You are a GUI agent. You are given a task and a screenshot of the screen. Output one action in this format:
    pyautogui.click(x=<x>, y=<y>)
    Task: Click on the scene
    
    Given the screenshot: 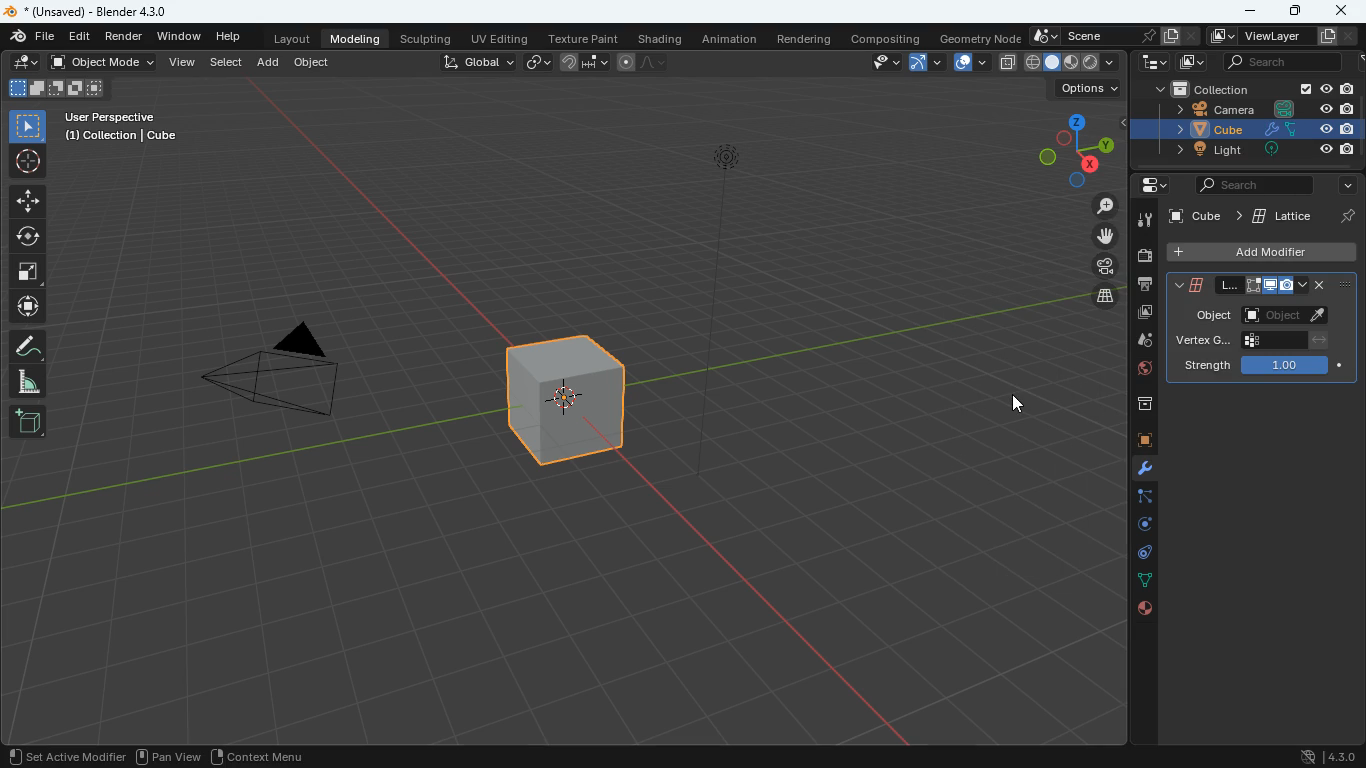 What is the action you would take?
    pyautogui.click(x=1115, y=36)
    